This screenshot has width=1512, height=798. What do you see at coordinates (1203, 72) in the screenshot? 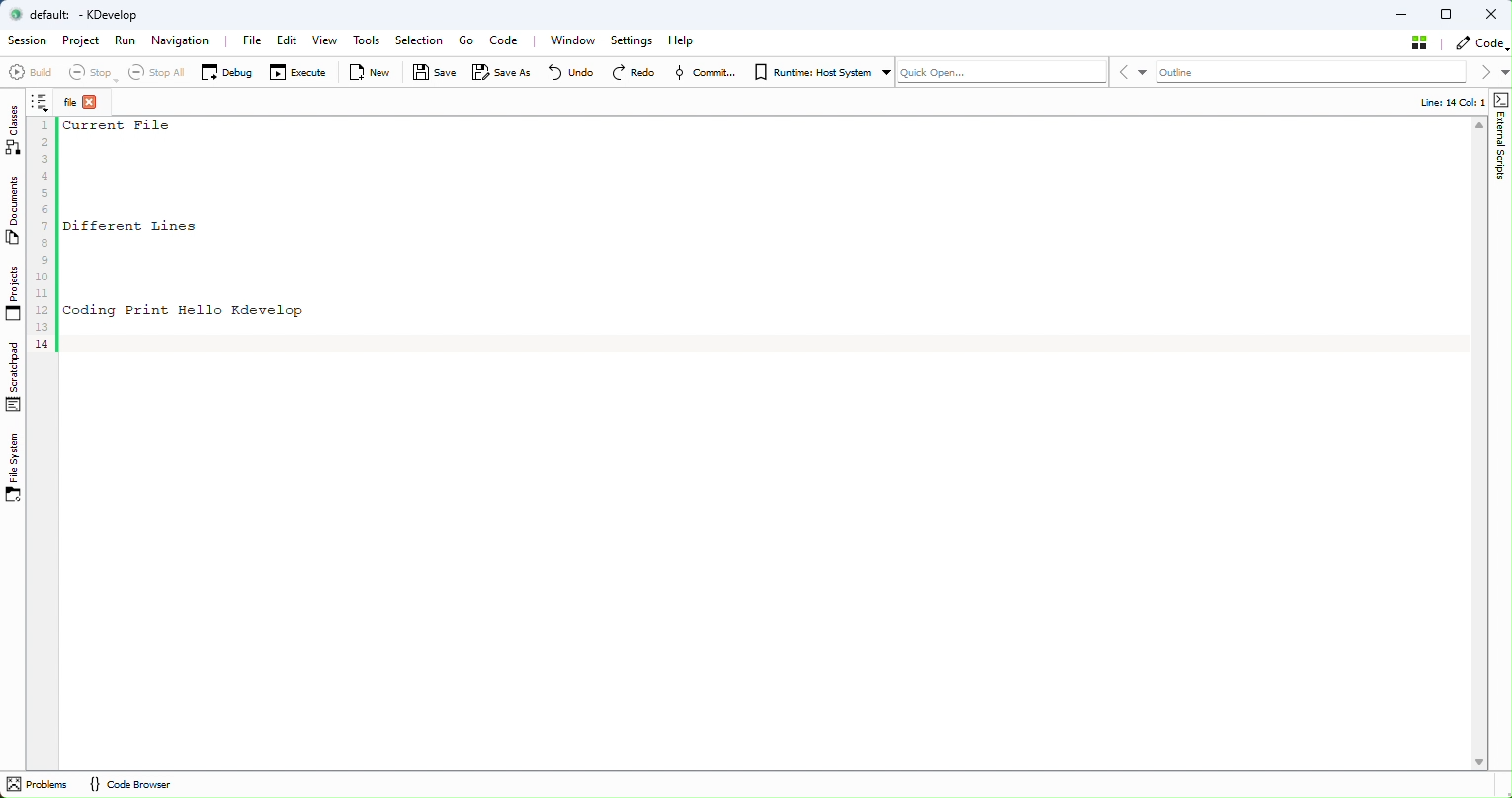
I see `Outline` at bounding box center [1203, 72].